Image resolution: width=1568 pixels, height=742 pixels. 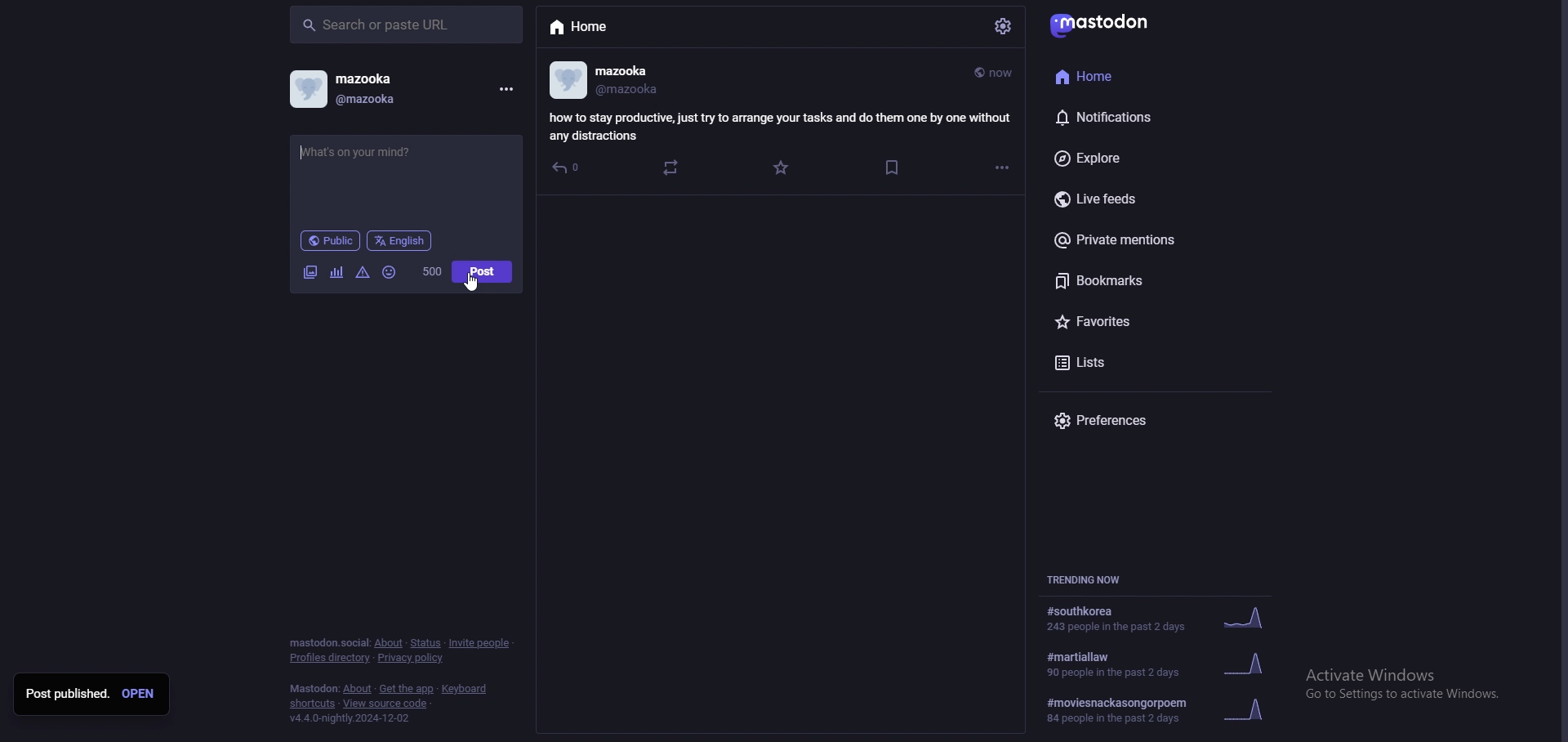 I want to click on favorites, so click(x=1131, y=322).